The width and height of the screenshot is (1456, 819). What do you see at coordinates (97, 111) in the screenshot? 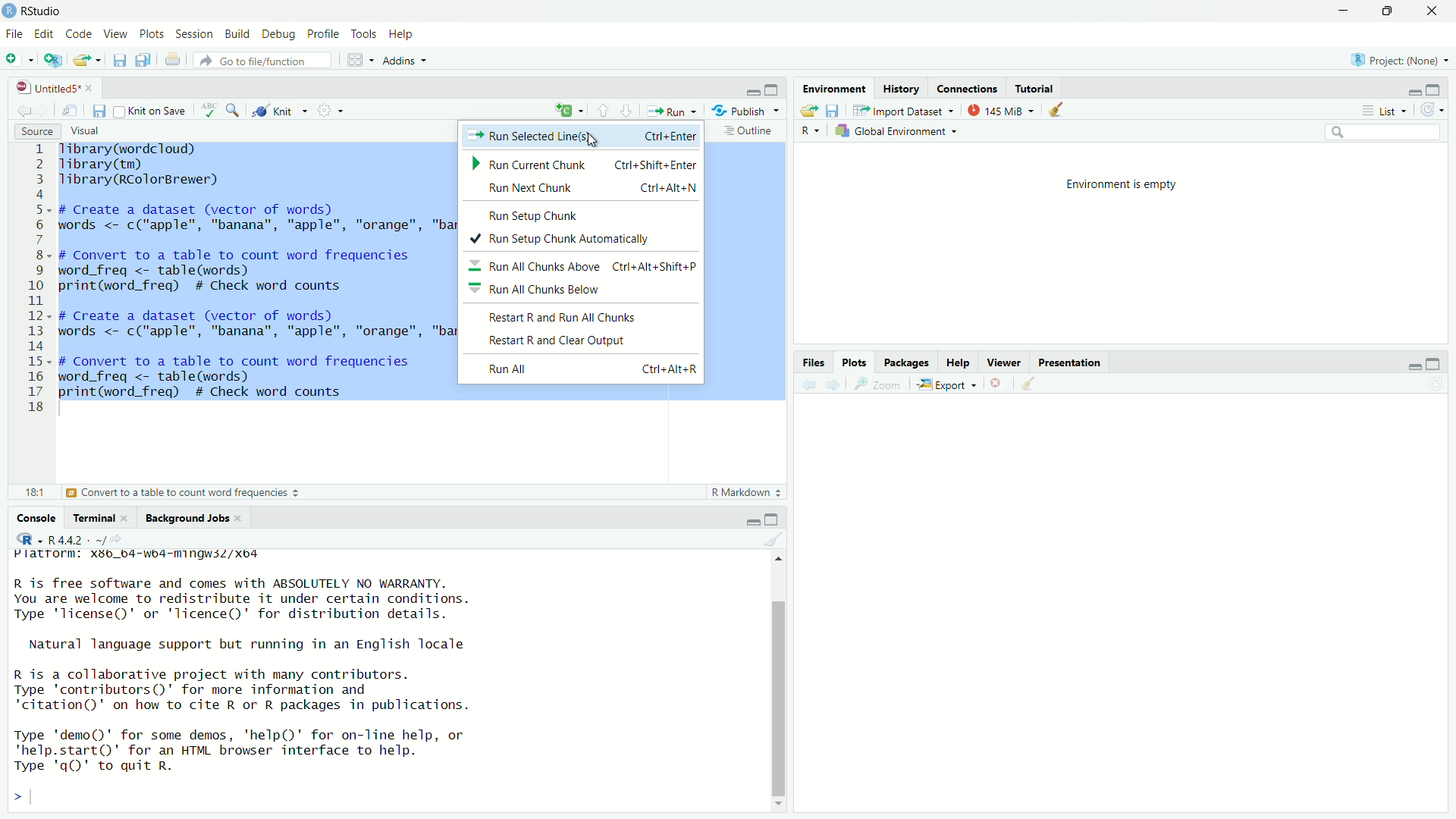
I see `Save` at bounding box center [97, 111].